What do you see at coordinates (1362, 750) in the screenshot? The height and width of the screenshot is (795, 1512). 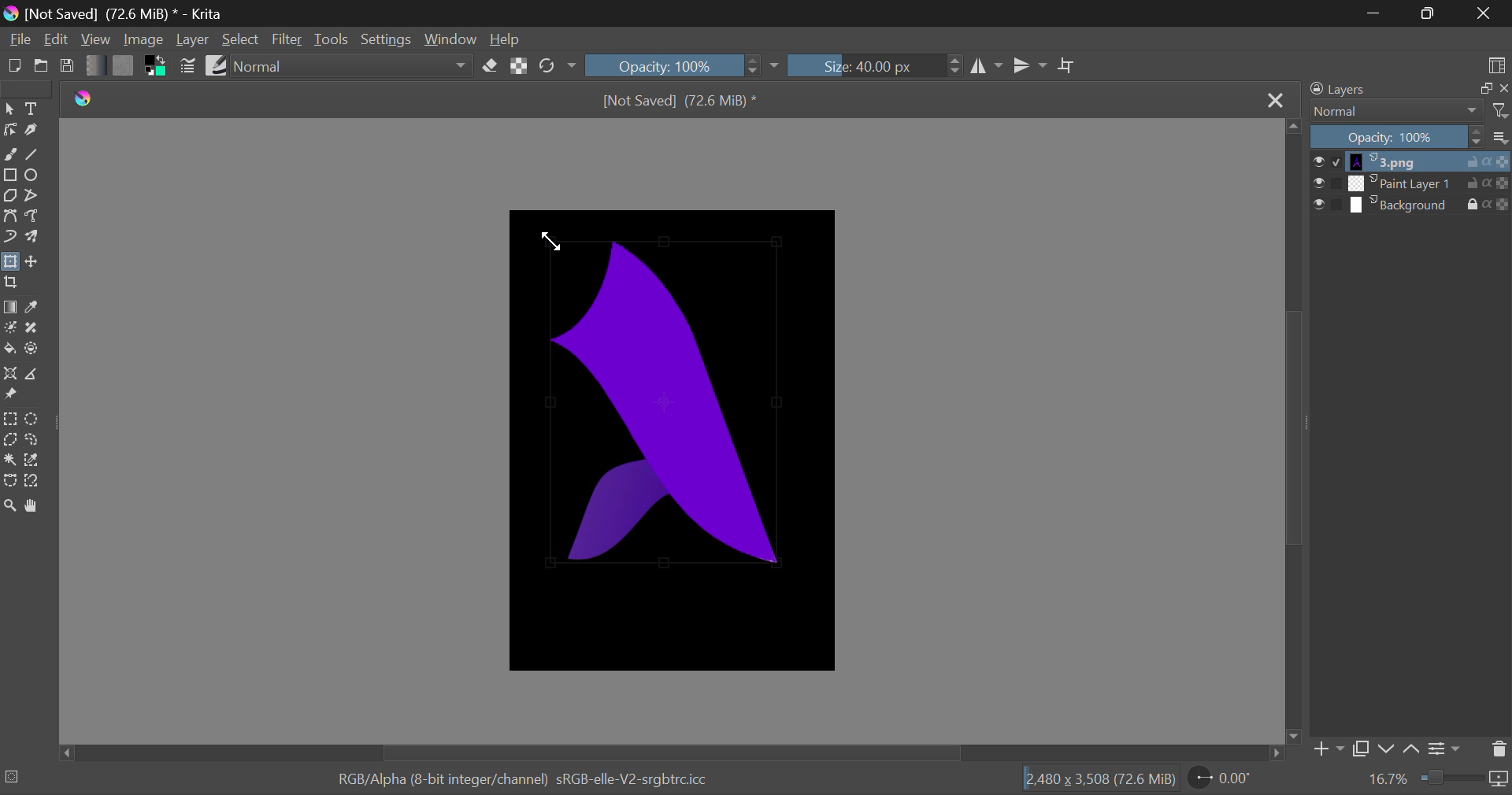 I see `Copy Layer` at bounding box center [1362, 750].